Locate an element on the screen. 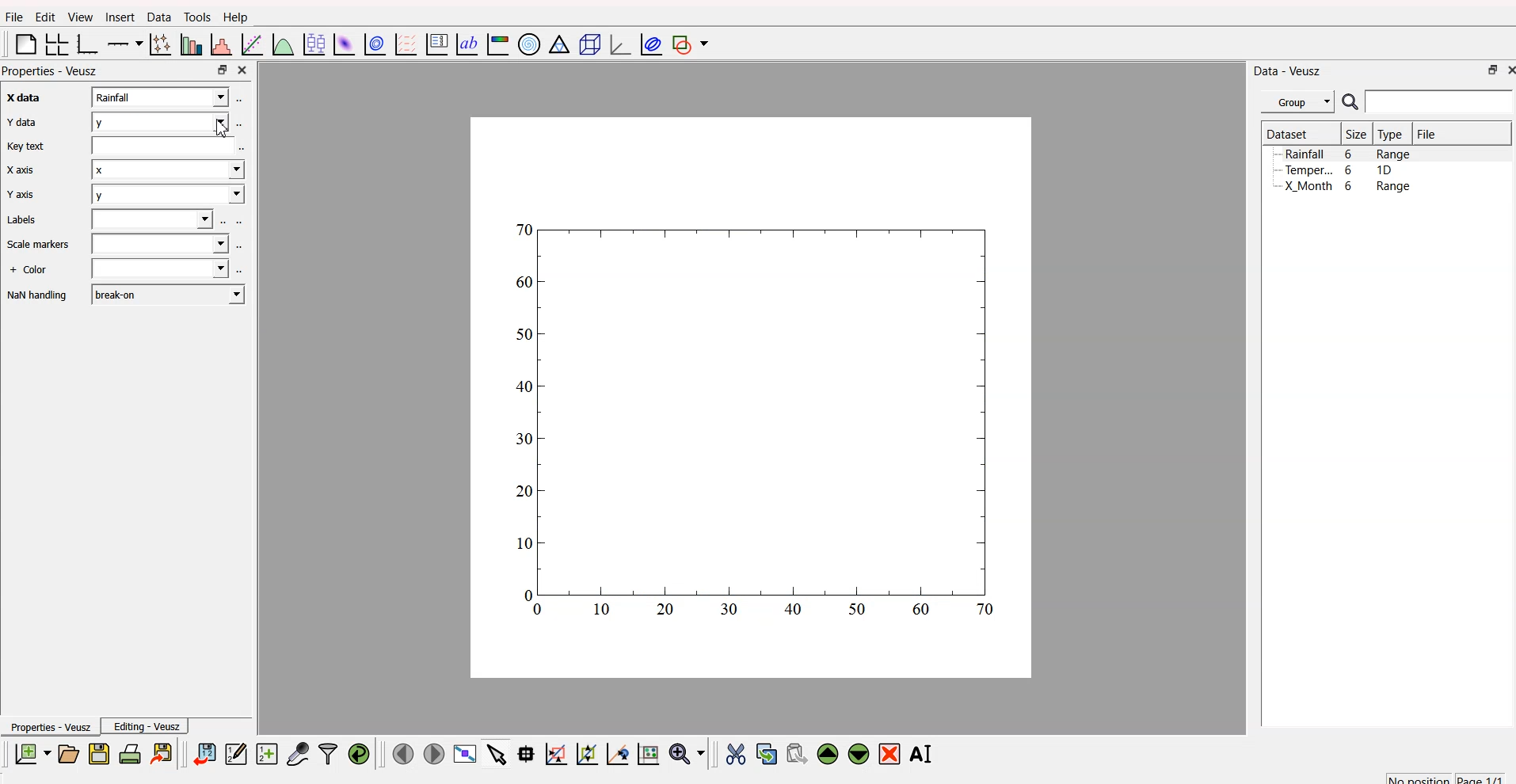 The height and width of the screenshot is (784, 1516). add shape to plot is located at coordinates (693, 45).